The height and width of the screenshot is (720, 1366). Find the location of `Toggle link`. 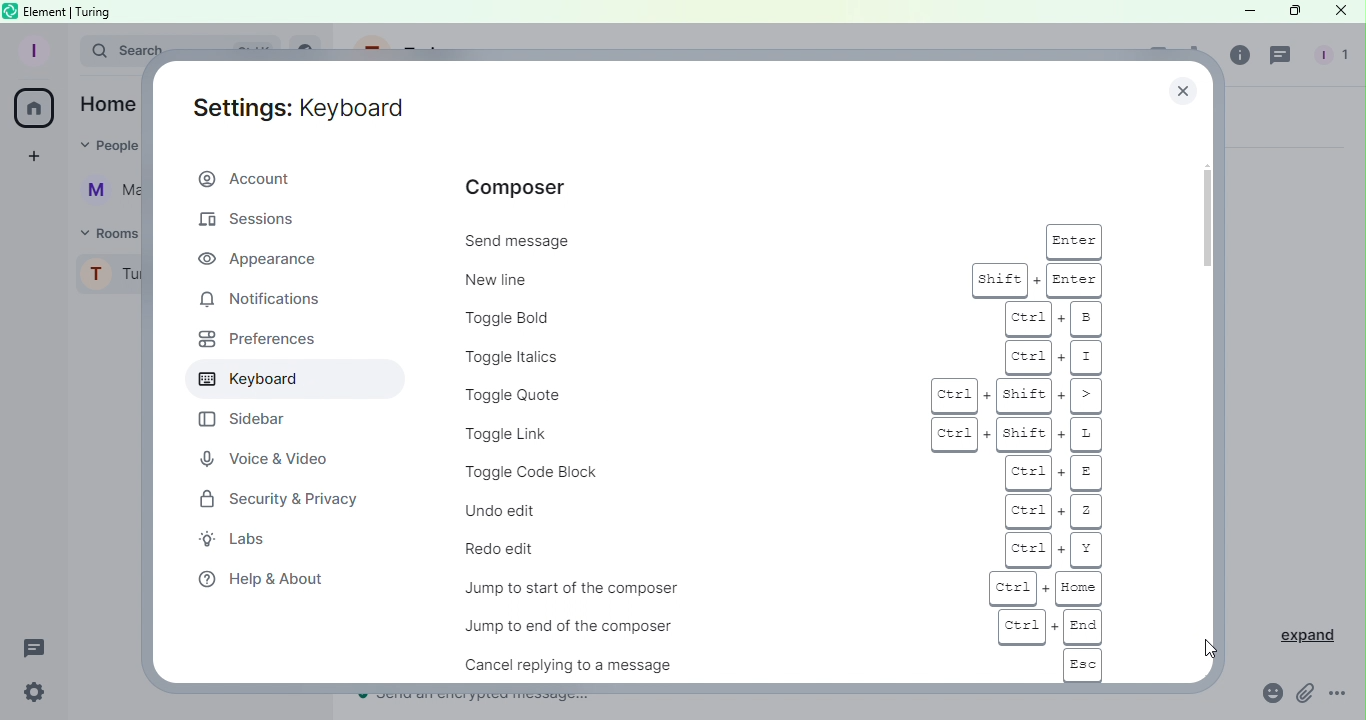

Toggle link is located at coordinates (672, 431).